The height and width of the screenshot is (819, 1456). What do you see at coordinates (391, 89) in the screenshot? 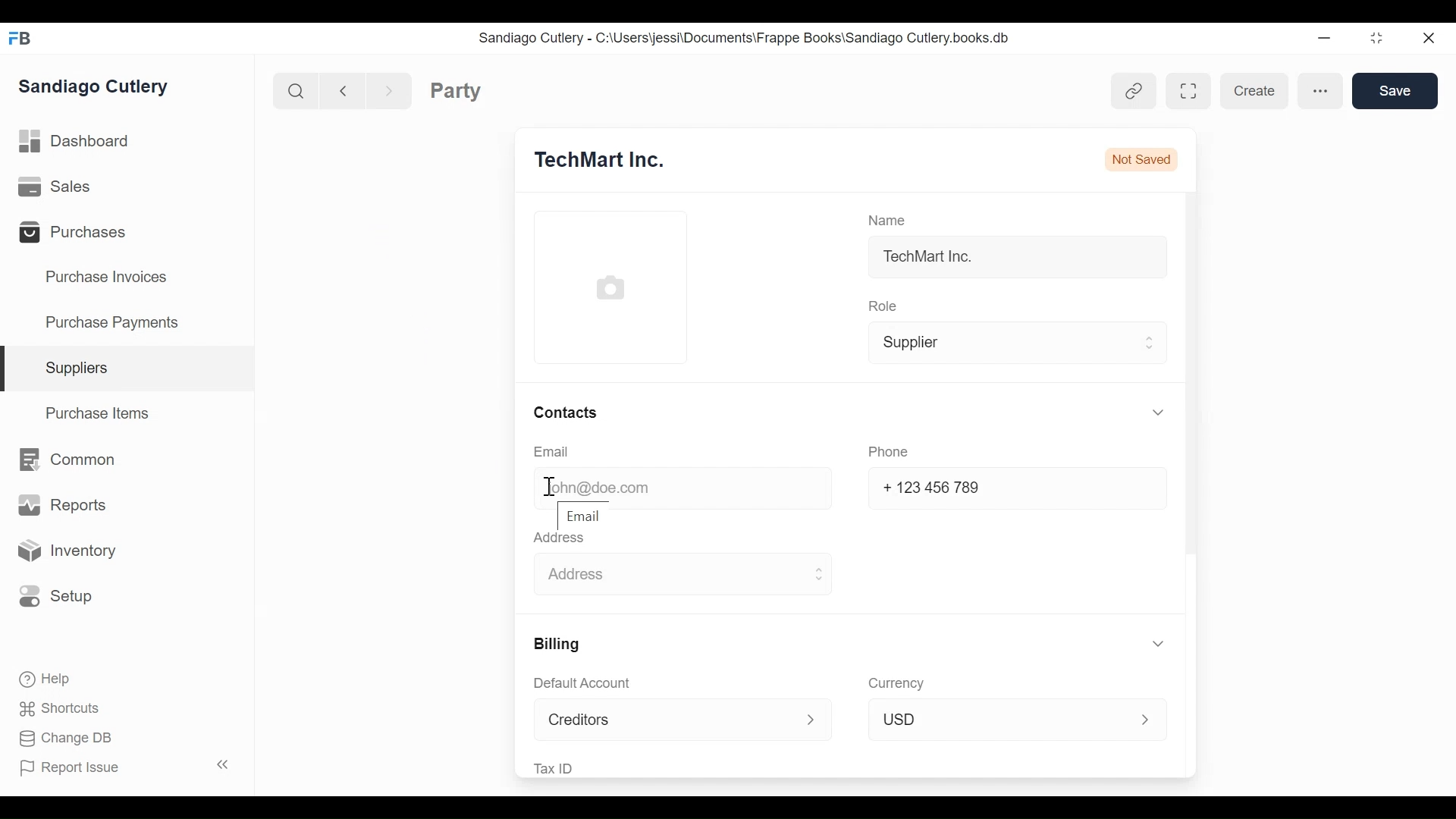
I see `next` at bounding box center [391, 89].